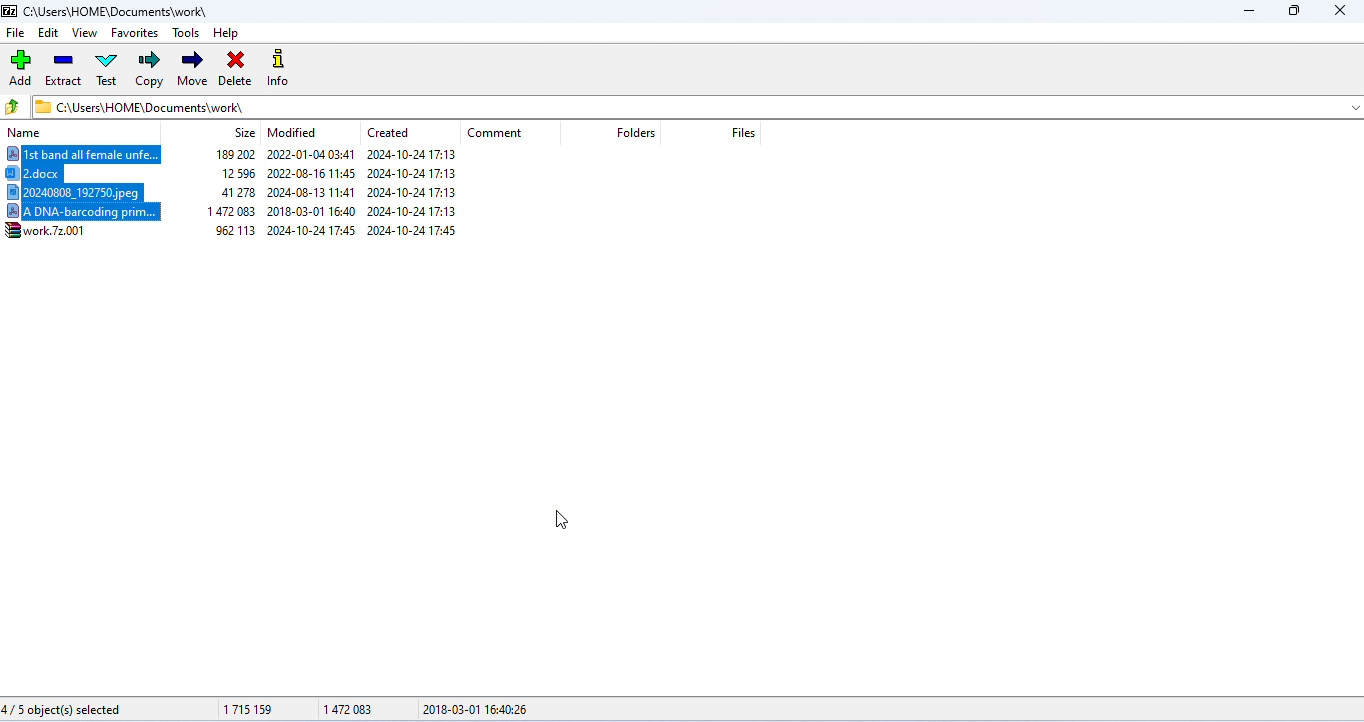  I want to click on minimize, so click(1247, 12).